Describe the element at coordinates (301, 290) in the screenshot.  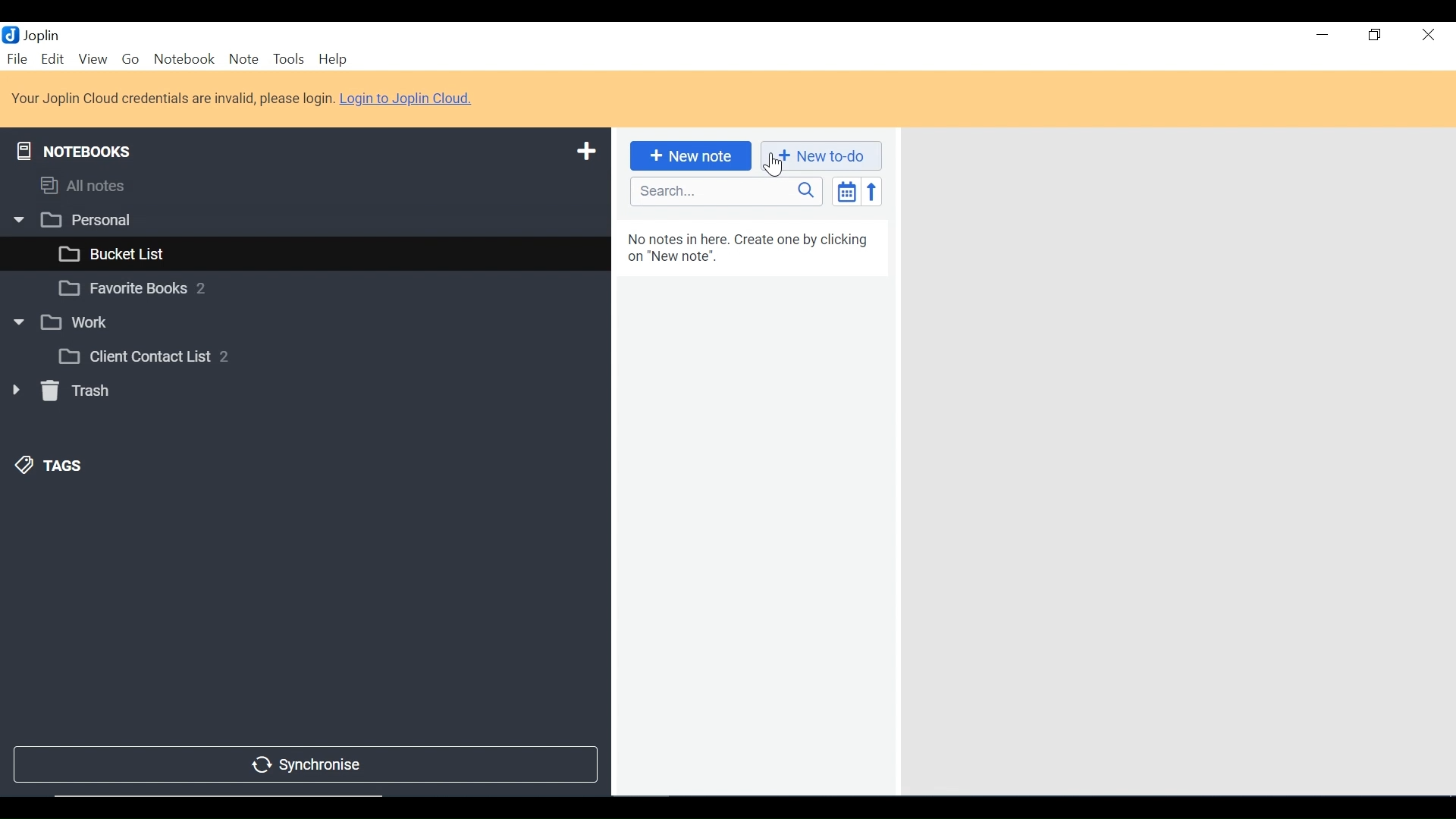
I see `Notebook` at that location.